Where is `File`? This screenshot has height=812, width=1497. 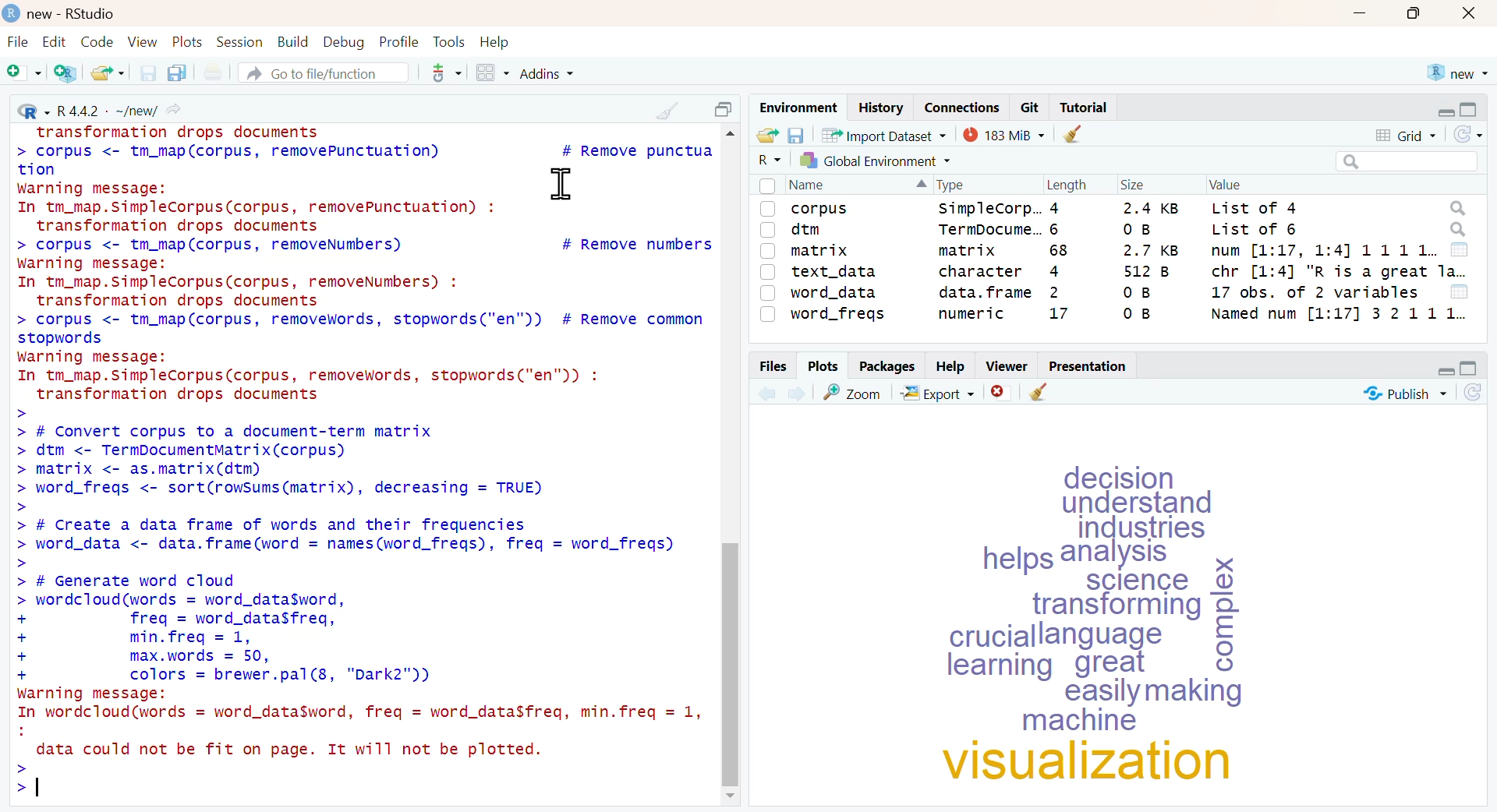
File is located at coordinates (18, 43).